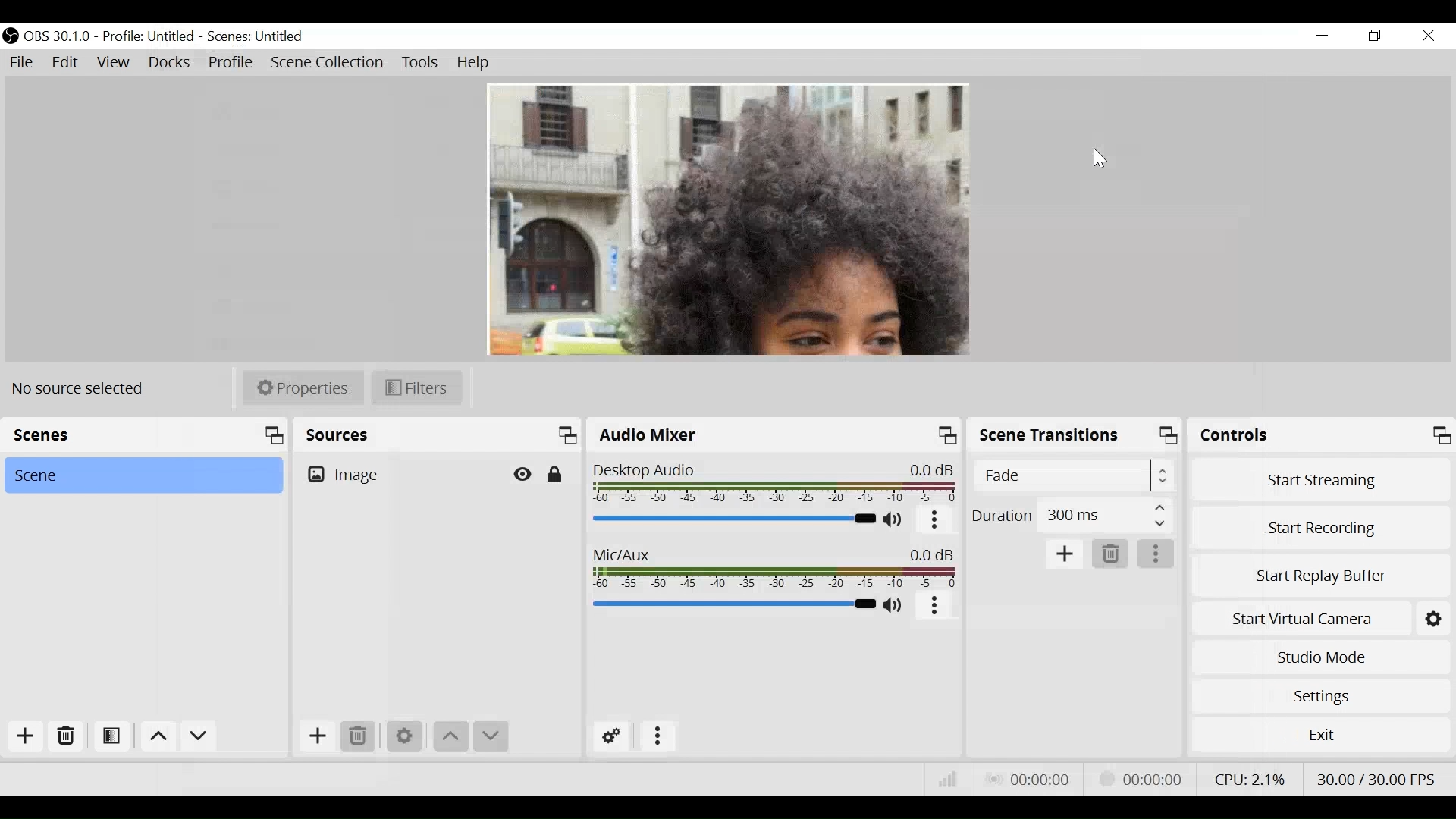  What do you see at coordinates (359, 736) in the screenshot?
I see `Delete` at bounding box center [359, 736].